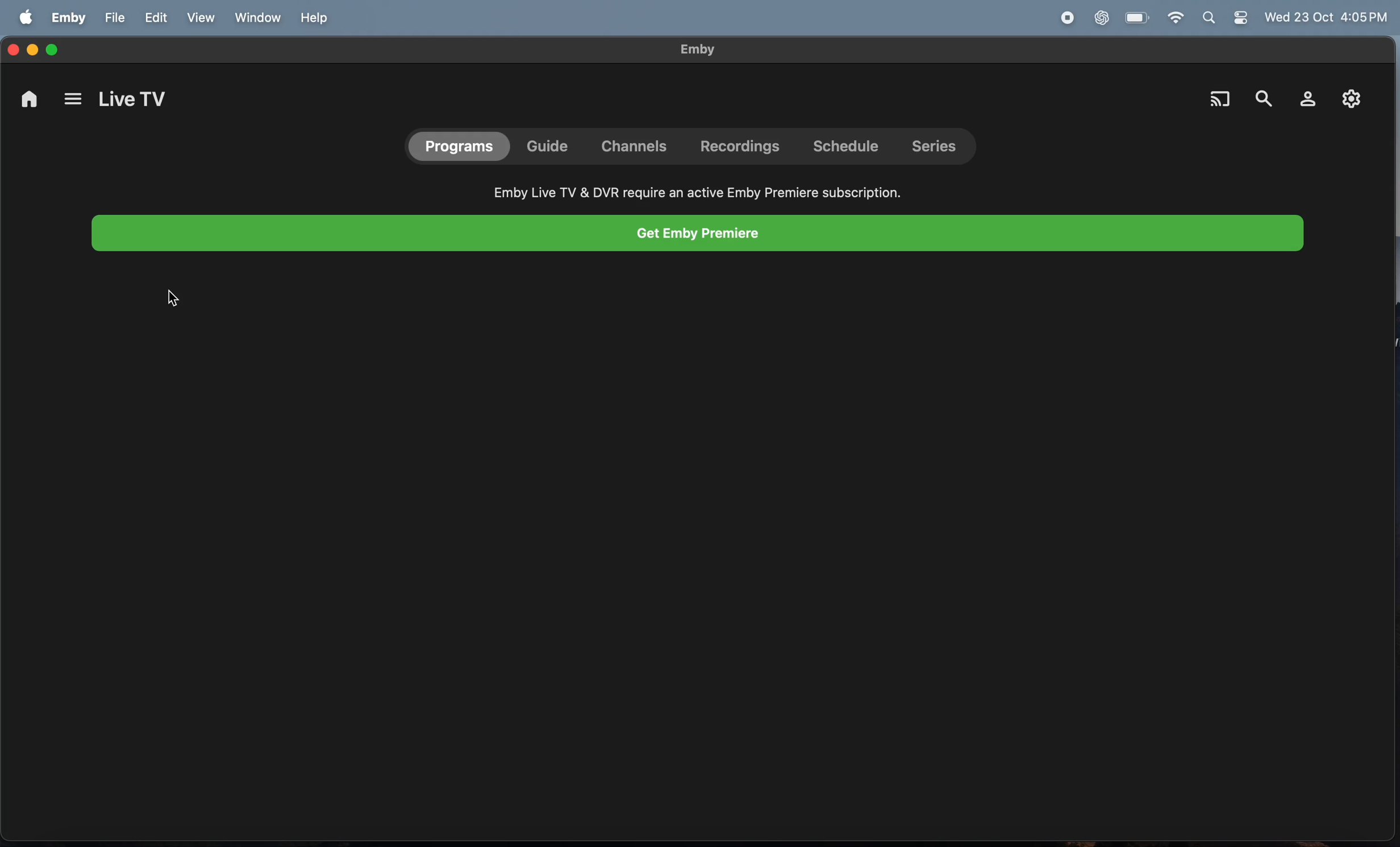 The image size is (1400, 847). Describe the element at coordinates (552, 144) in the screenshot. I see `guide` at that location.